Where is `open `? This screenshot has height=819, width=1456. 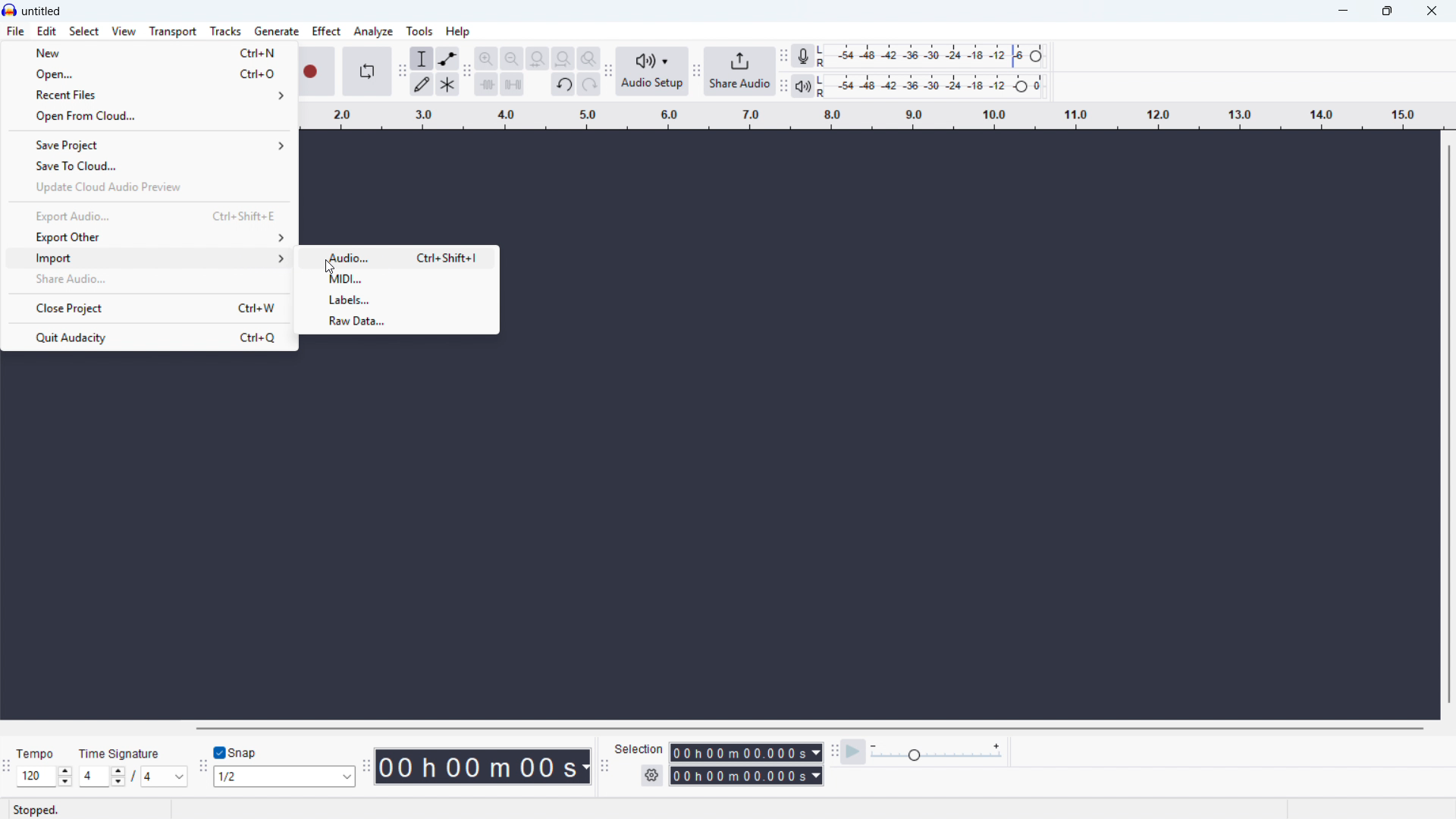
open  is located at coordinates (152, 74).